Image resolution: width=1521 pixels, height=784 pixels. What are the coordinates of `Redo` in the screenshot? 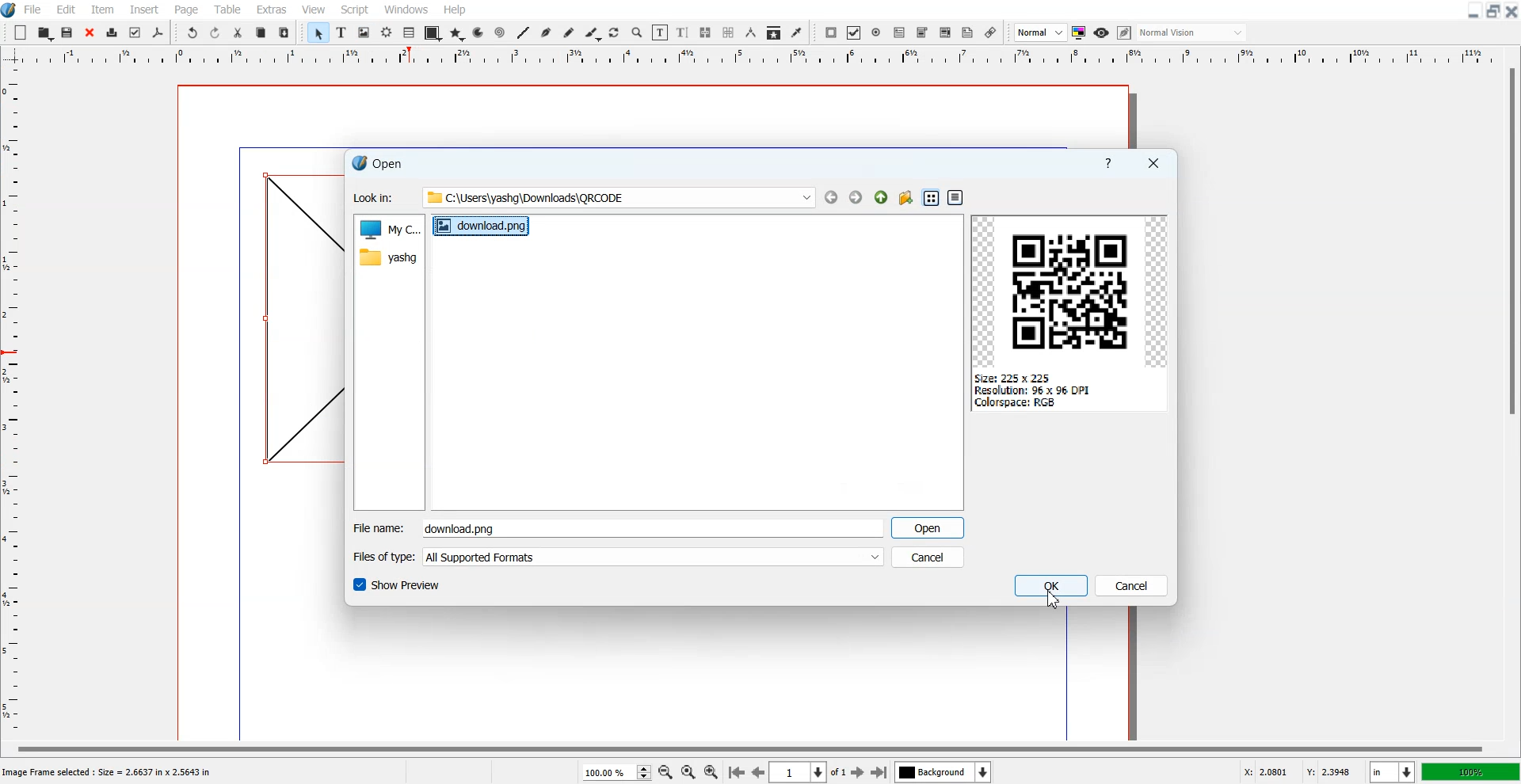 It's located at (215, 32).